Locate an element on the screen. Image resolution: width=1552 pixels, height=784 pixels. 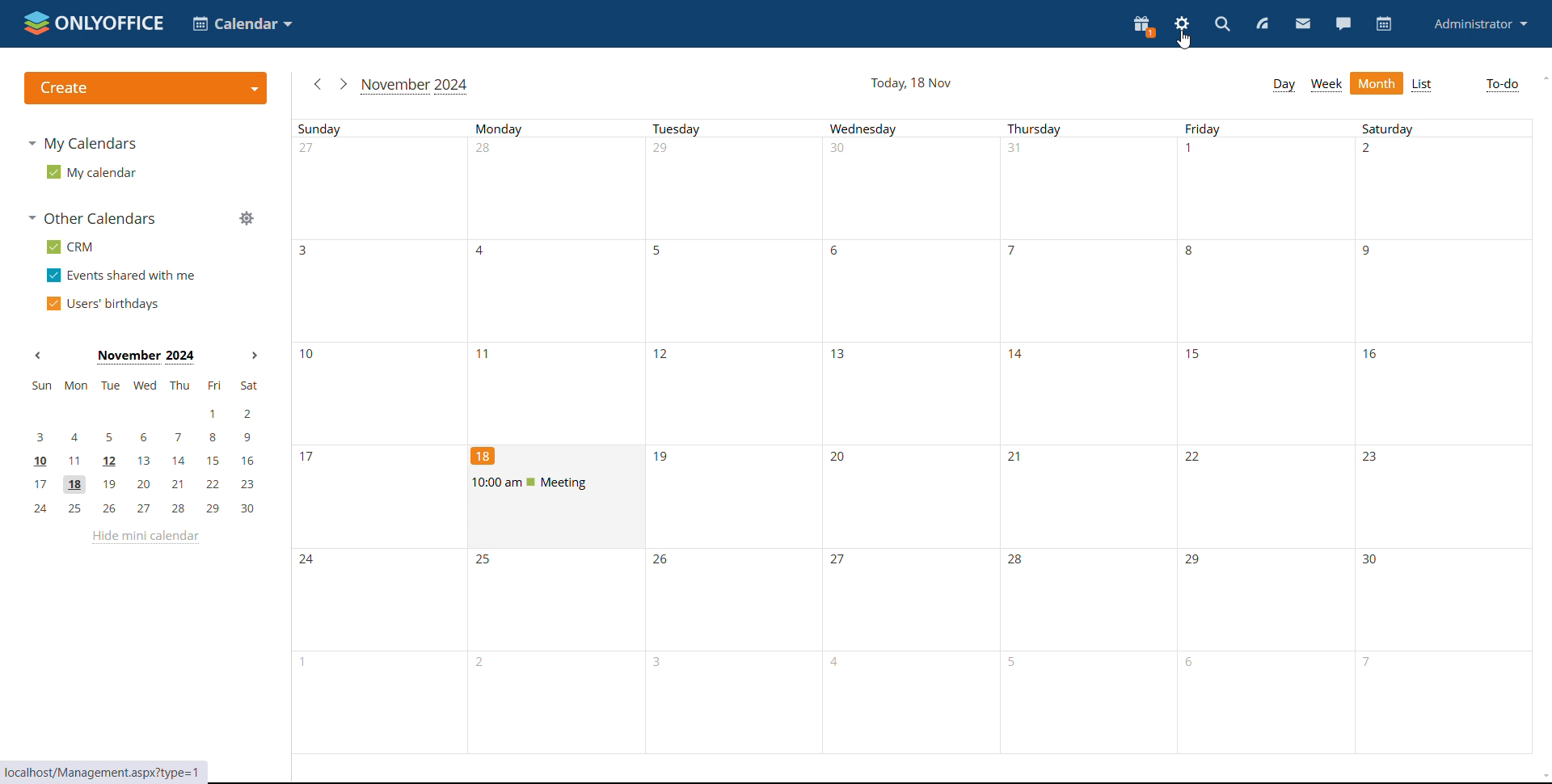
onlyoffice logo is located at coordinates (36, 23).